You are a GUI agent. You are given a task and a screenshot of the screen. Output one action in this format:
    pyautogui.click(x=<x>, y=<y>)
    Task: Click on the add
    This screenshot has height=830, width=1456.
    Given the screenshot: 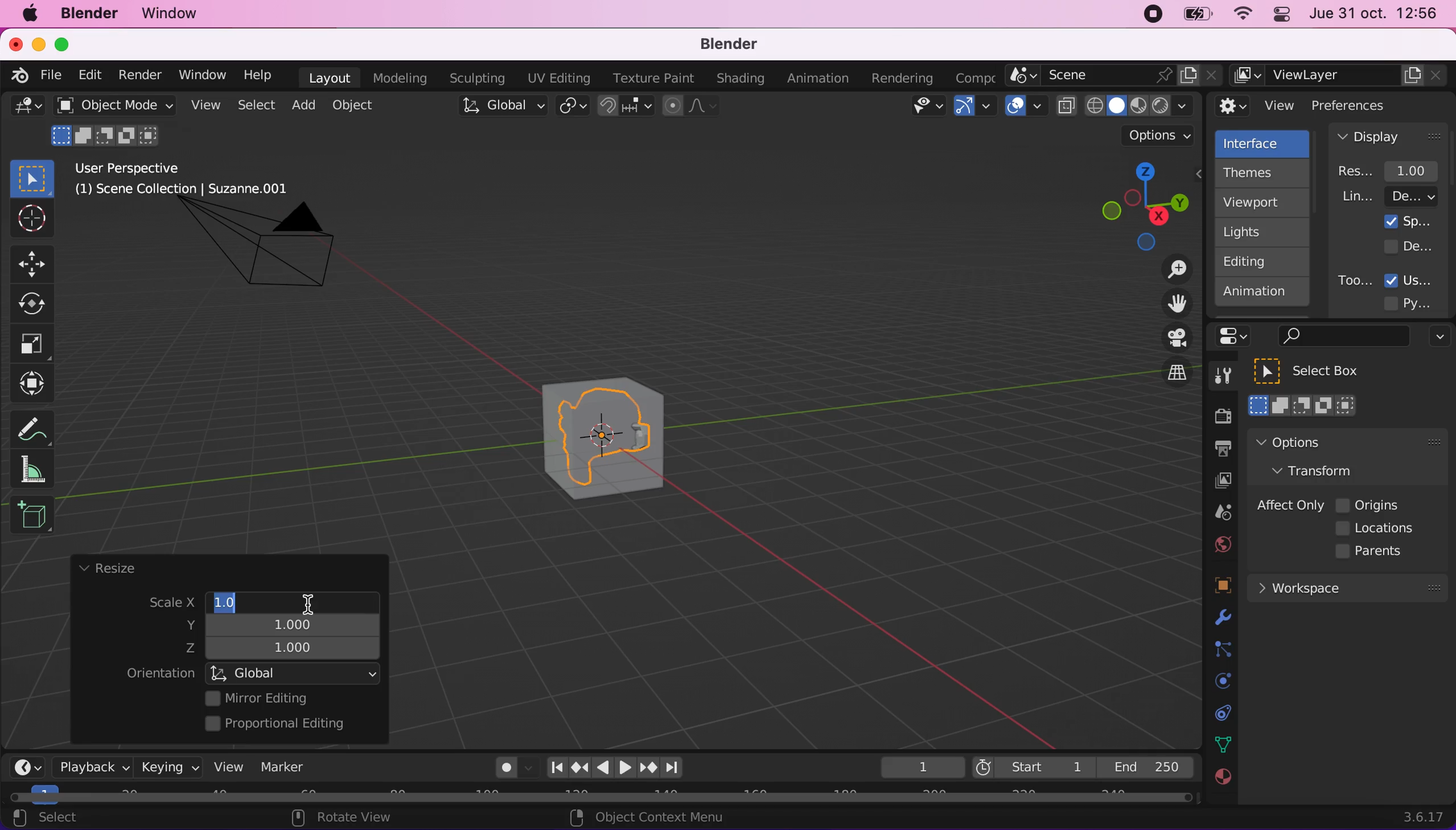 What is the action you would take?
    pyautogui.click(x=301, y=105)
    